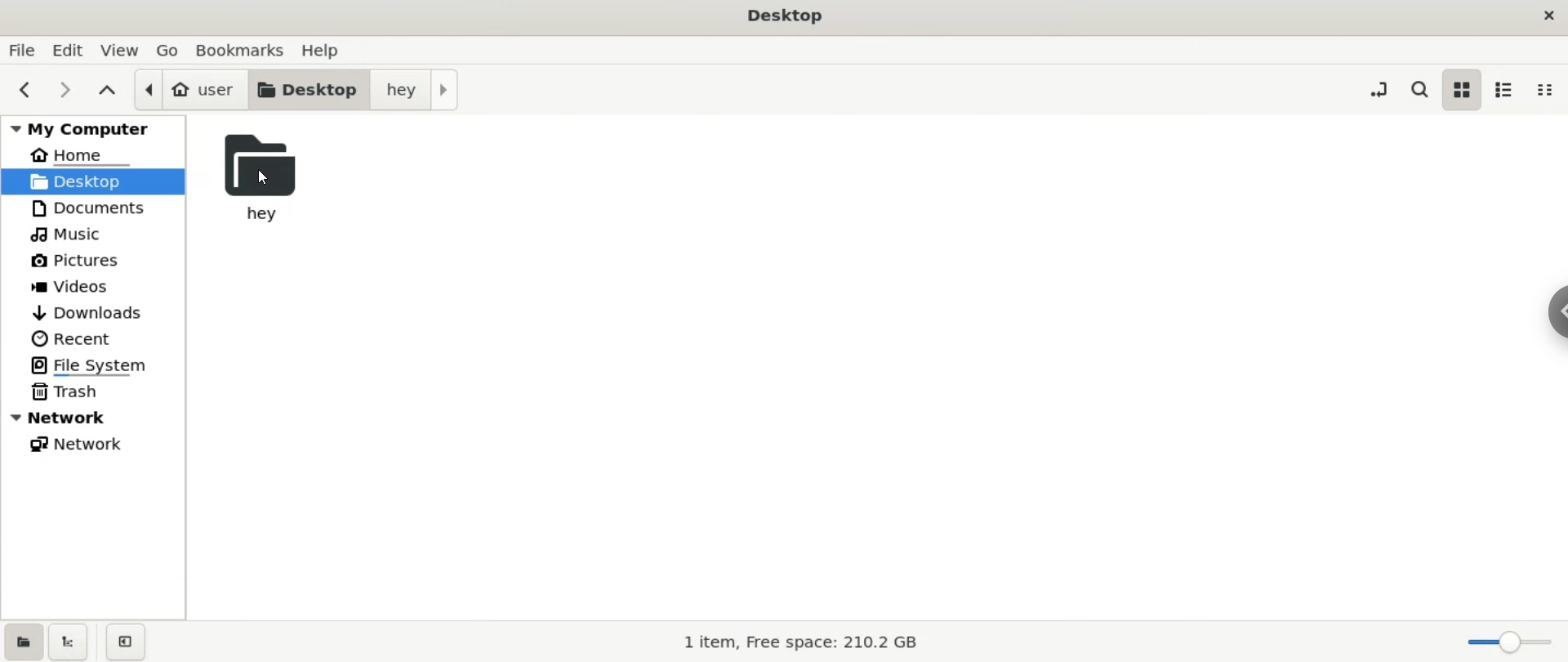 The width and height of the screenshot is (1568, 662). Describe the element at coordinates (70, 642) in the screenshot. I see `show treeview` at that location.